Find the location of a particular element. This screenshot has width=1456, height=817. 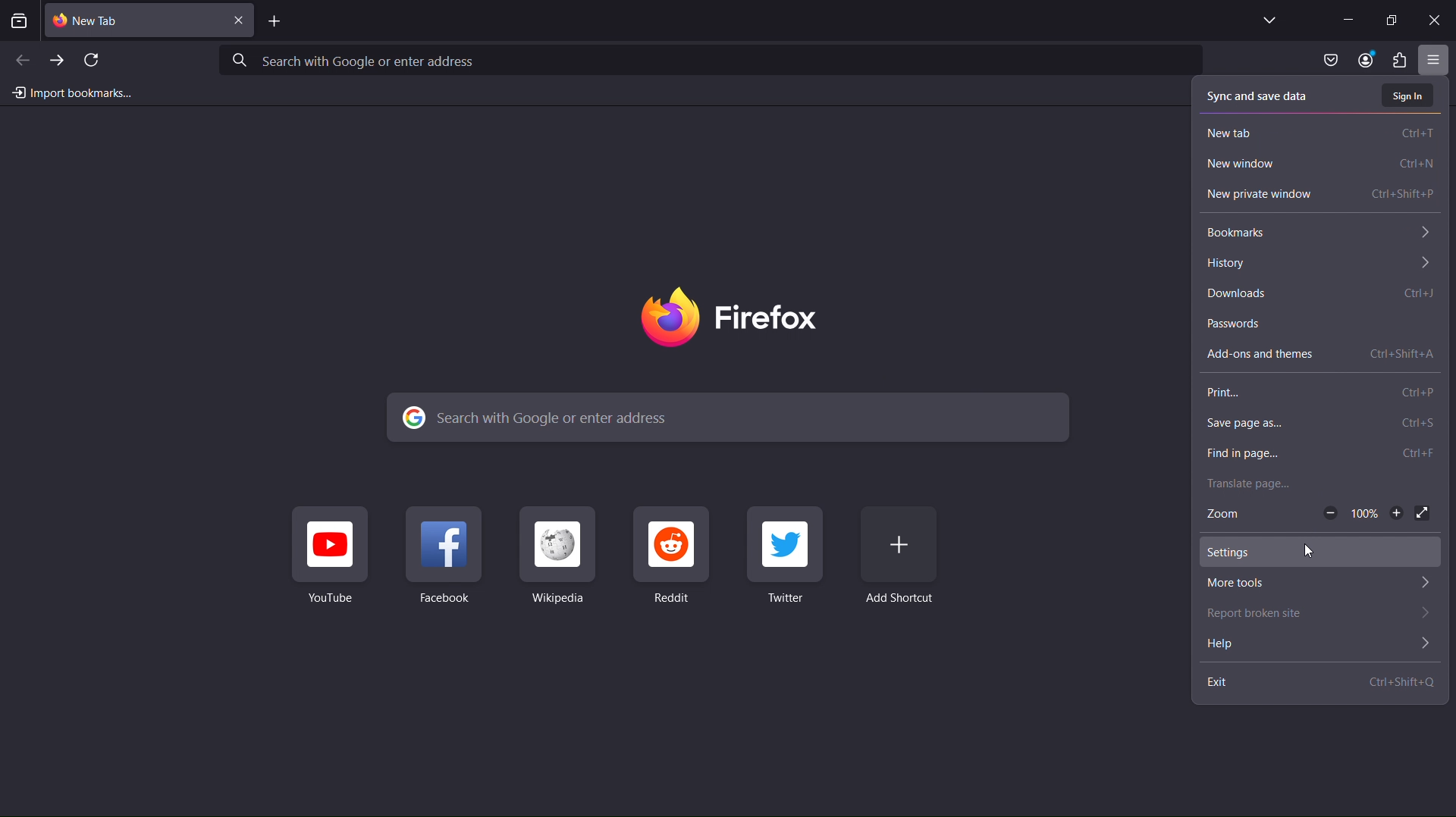

Search with Google or  enter address is located at coordinates (733, 415).